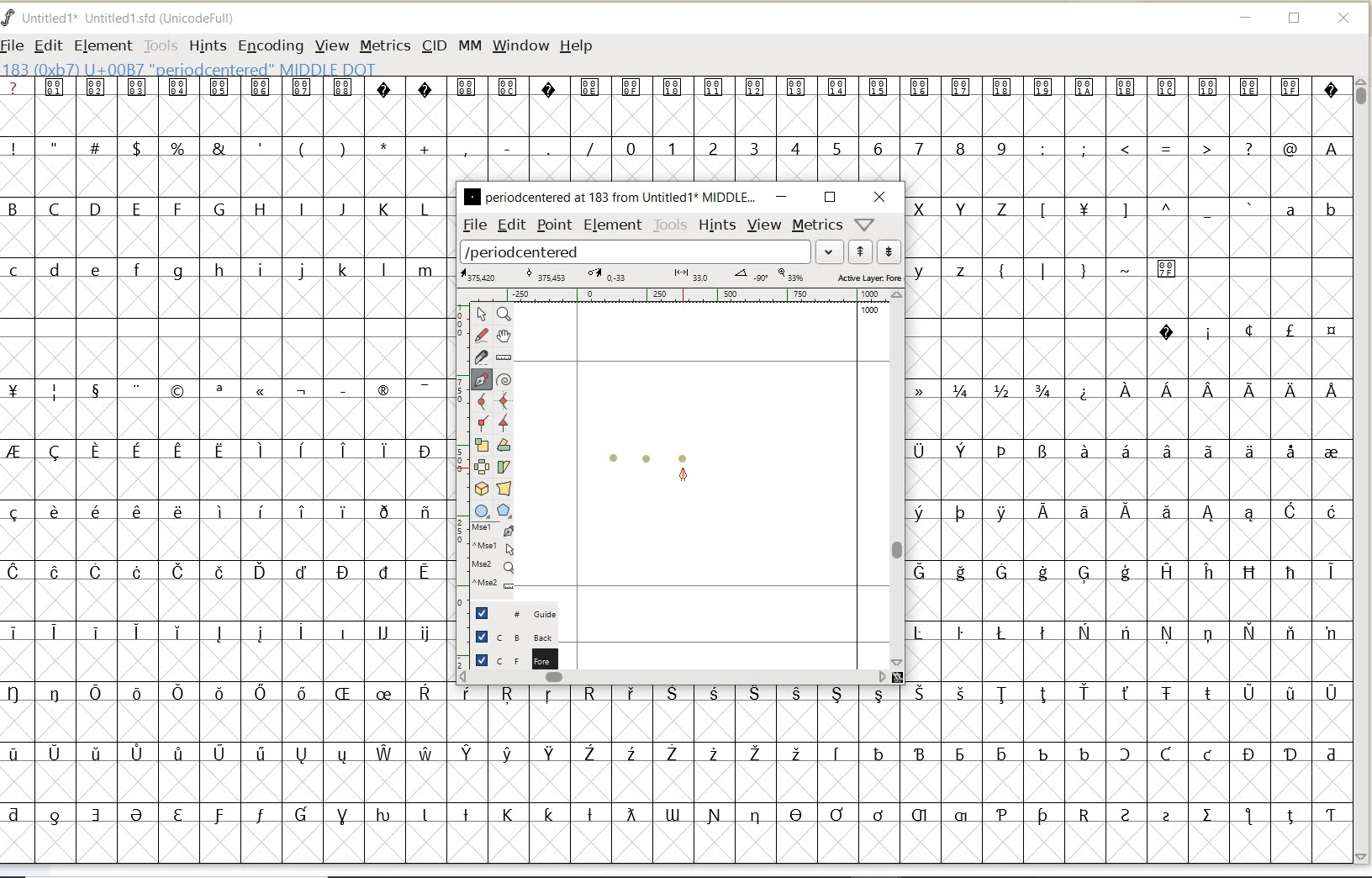 This screenshot has width=1372, height=878. I want to click on glyph name, so click(609, 196).